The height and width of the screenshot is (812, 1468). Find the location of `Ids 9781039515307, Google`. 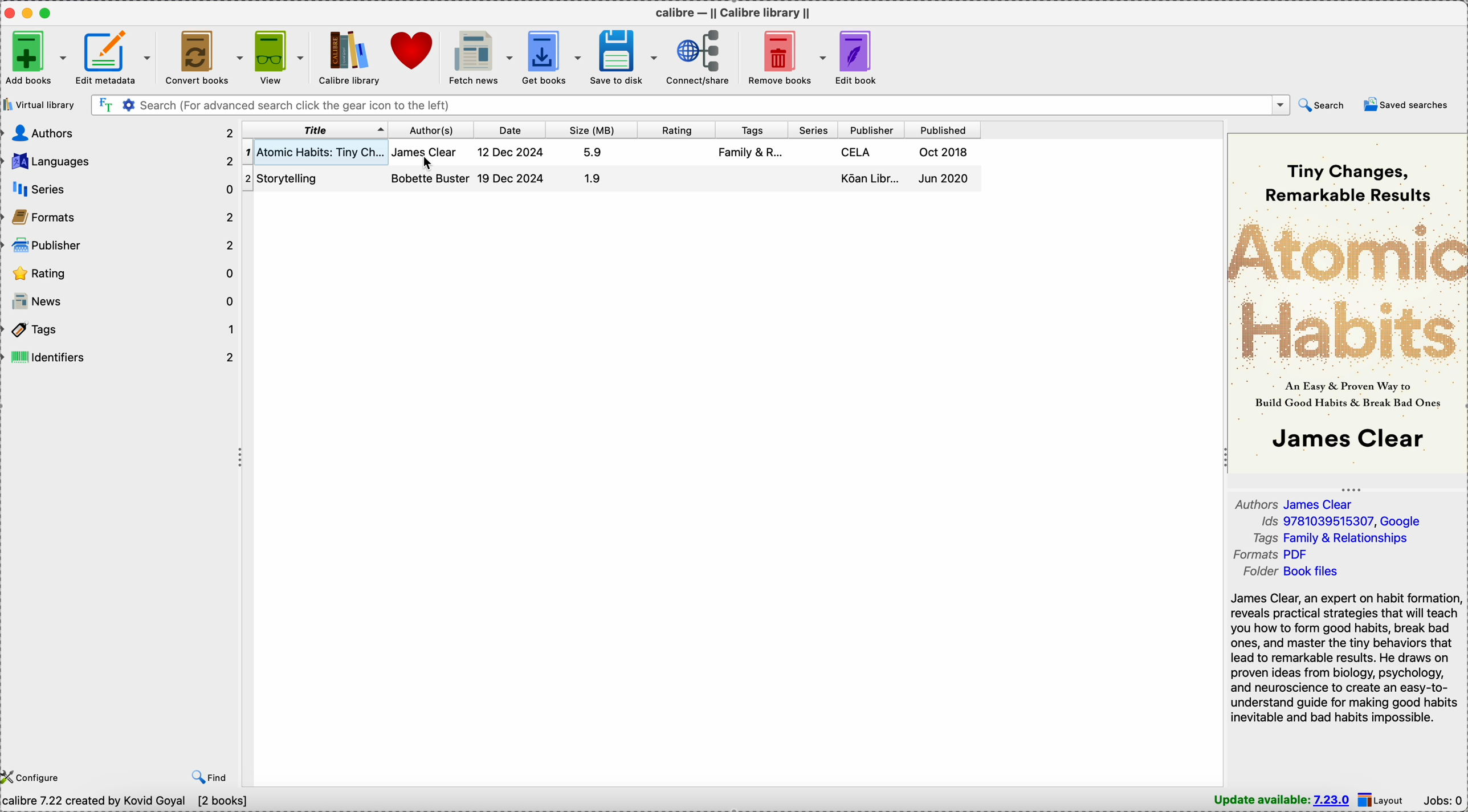

Ids 9781039515307, Google is located at coordinates (1341, 521).